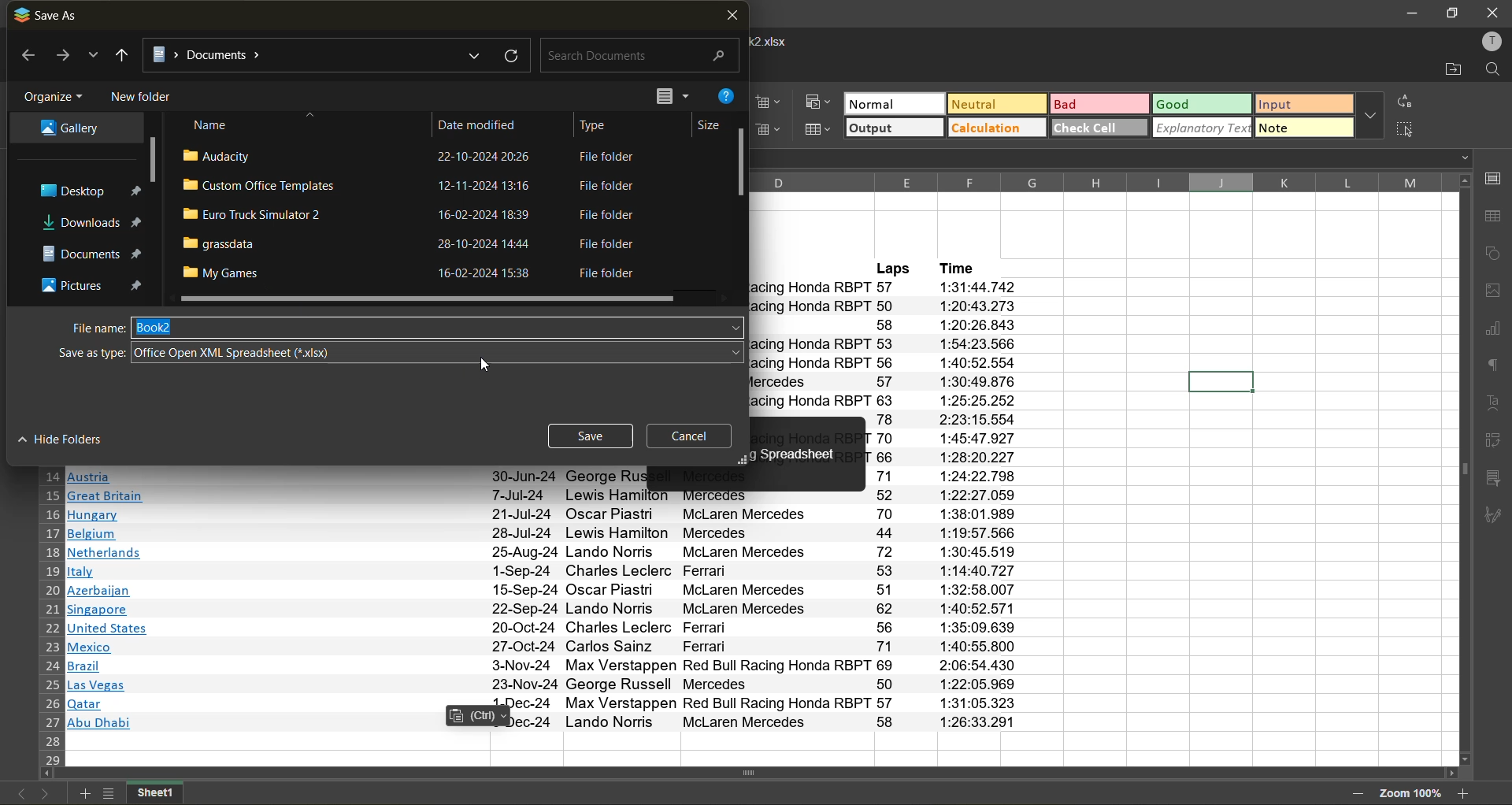 The width and height of the screenshot is (1512, 805). Describe the element at coordinates (669, 95) in the screenshot. I see `view` at that location.